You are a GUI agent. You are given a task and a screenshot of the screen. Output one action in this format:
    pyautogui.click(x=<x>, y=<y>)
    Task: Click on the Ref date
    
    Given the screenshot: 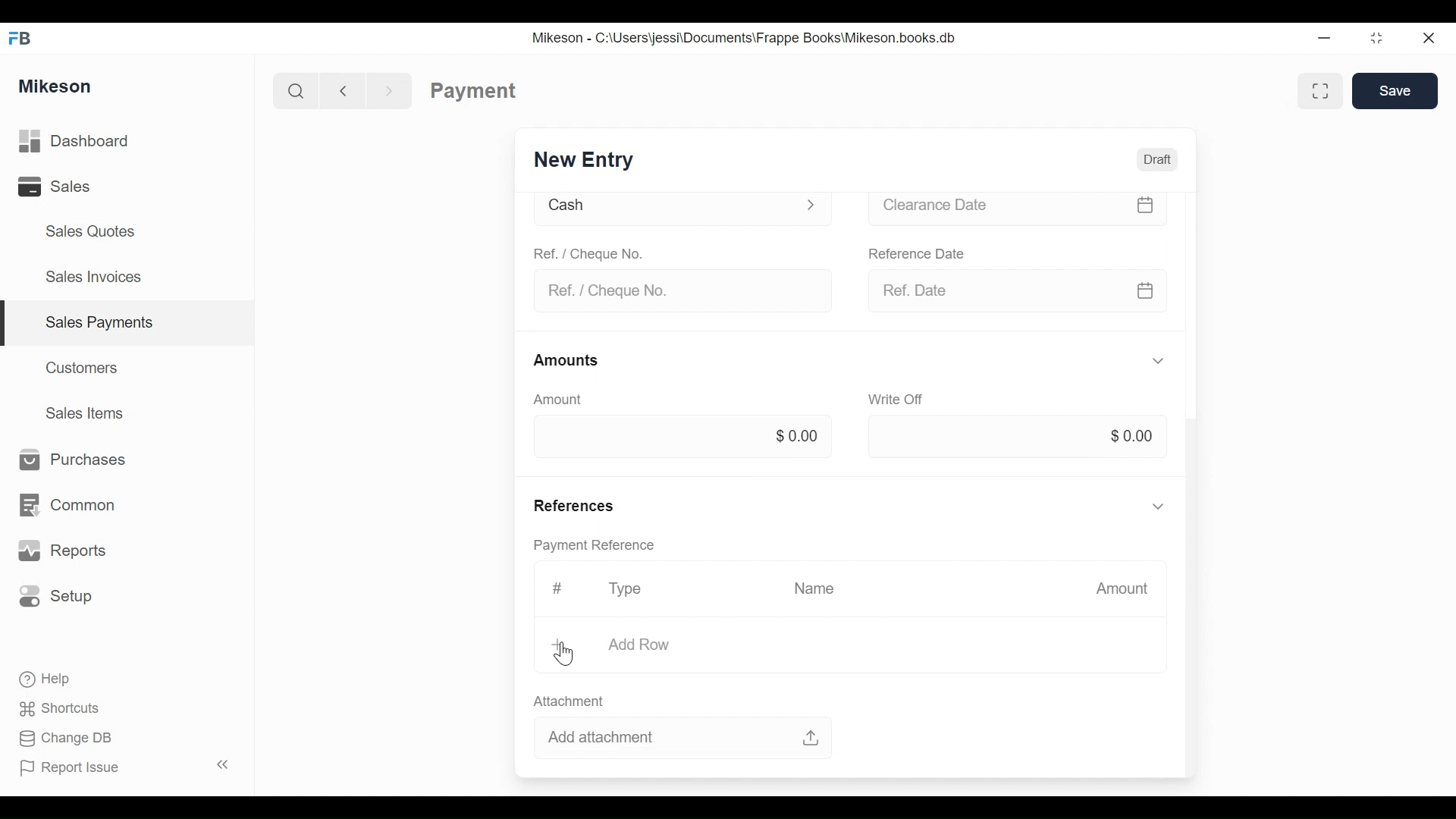 What is the action you would take?
    pyautogui.click(x=1022, y=293)
    